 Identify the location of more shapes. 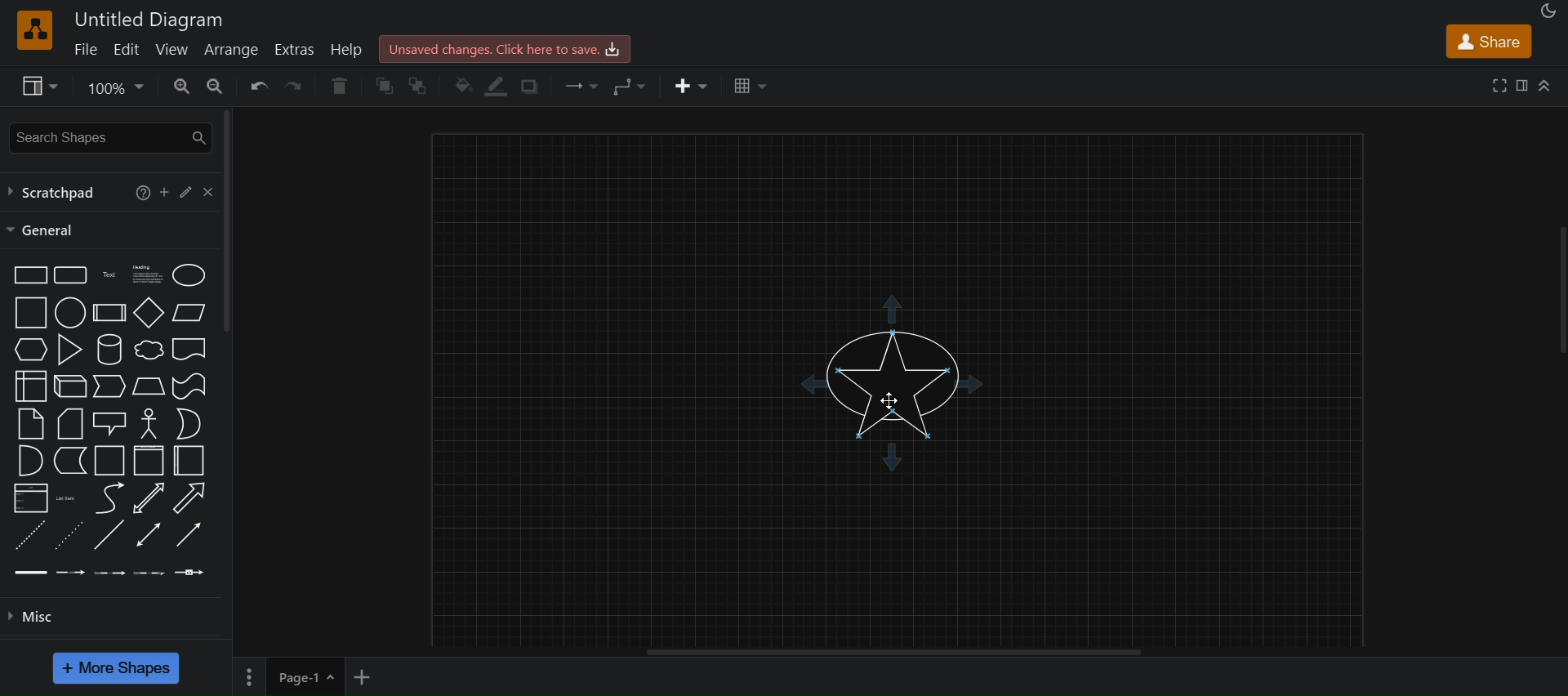
(115, 669).